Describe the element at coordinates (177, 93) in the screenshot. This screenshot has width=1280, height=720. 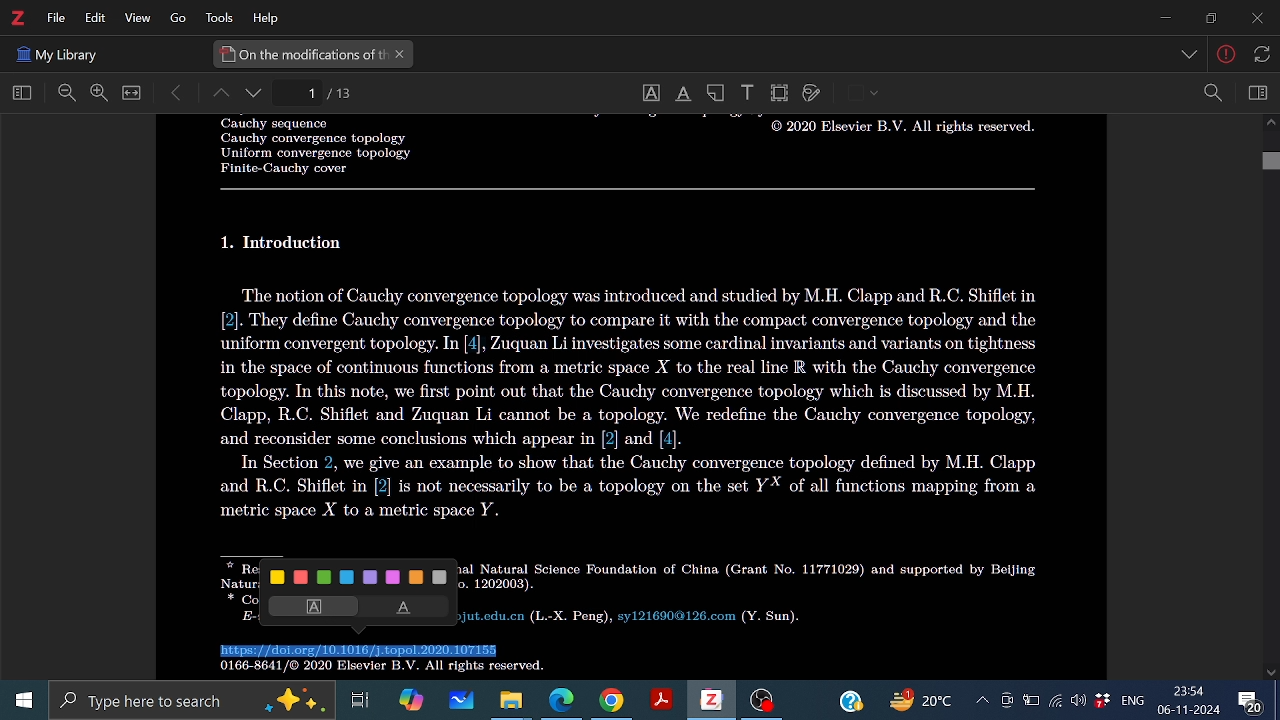
I see `Move back` at that location.